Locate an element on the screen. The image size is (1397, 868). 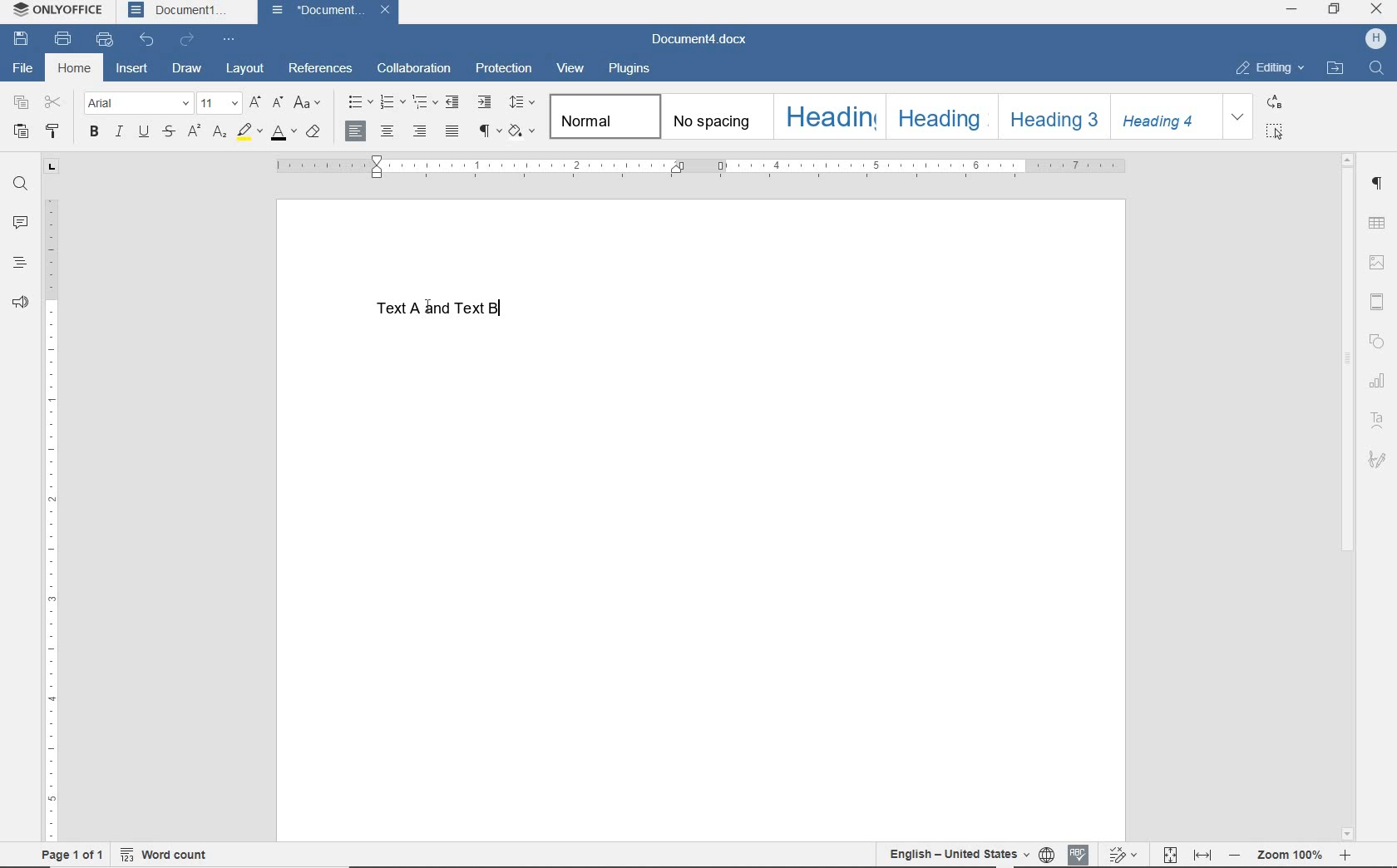
INSERT is located at coordinates (131, 70).